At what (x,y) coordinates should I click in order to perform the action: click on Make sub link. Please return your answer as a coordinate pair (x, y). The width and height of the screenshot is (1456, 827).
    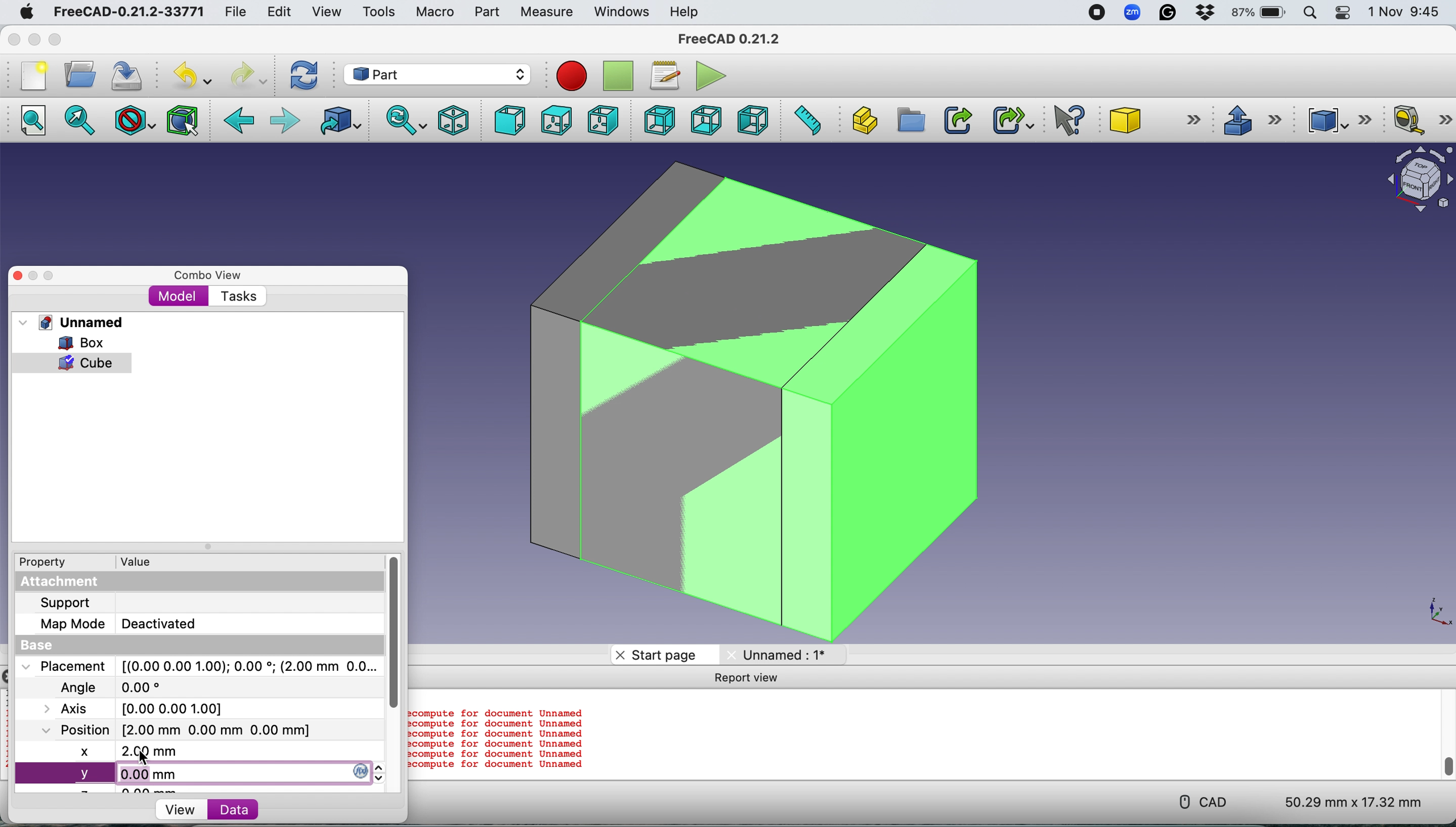
    Looking at the image, I should click on (1008, 118).